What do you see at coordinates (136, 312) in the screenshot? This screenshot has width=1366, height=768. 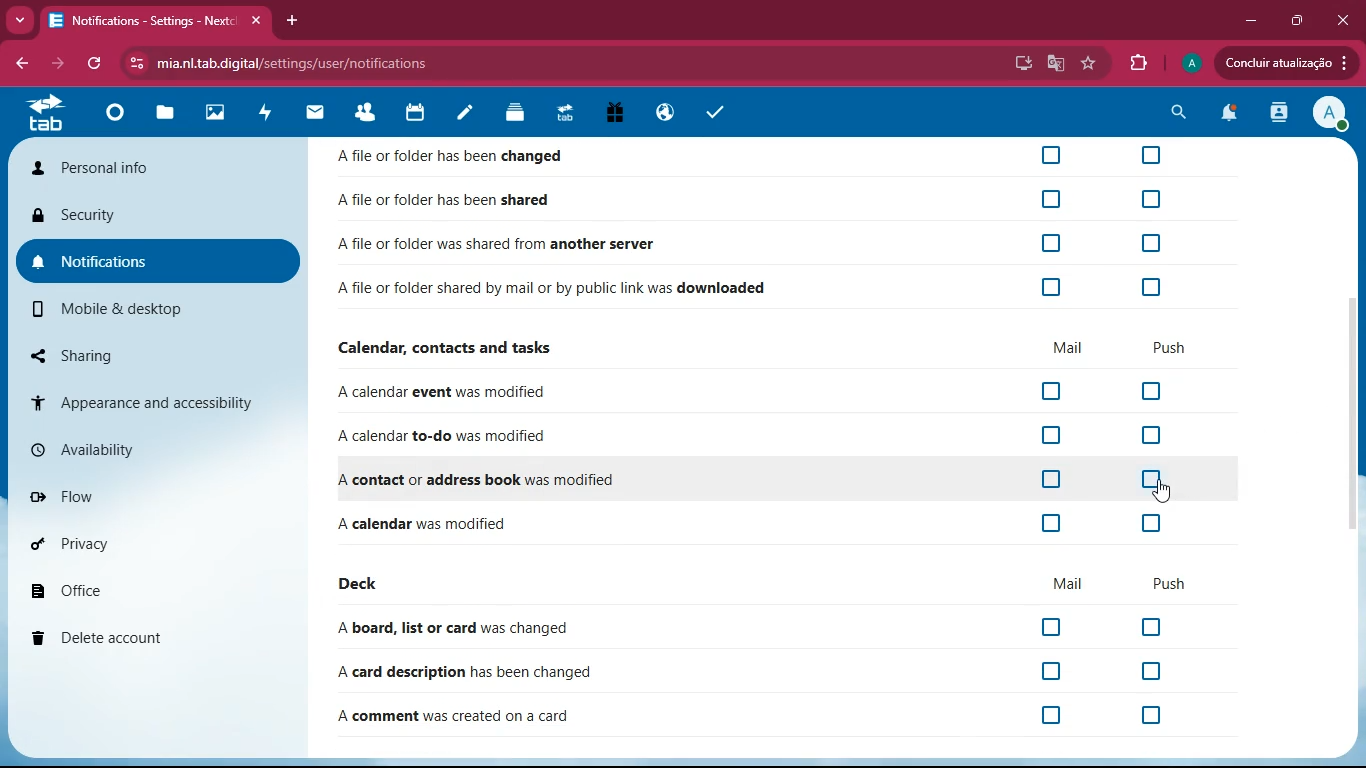 I see `mobile & desktop` at bounding box center [136, 312].